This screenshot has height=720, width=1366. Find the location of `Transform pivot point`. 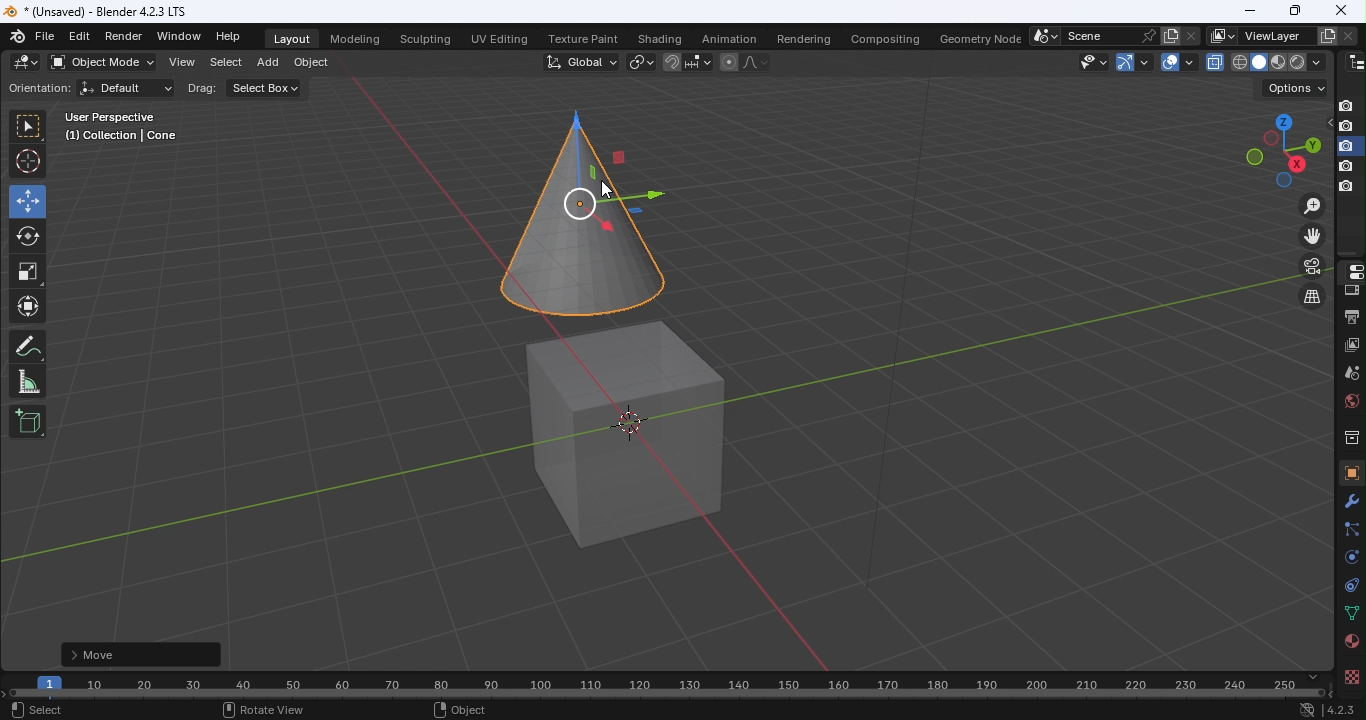

Transform pivot point is located at coordinates (638, 61).